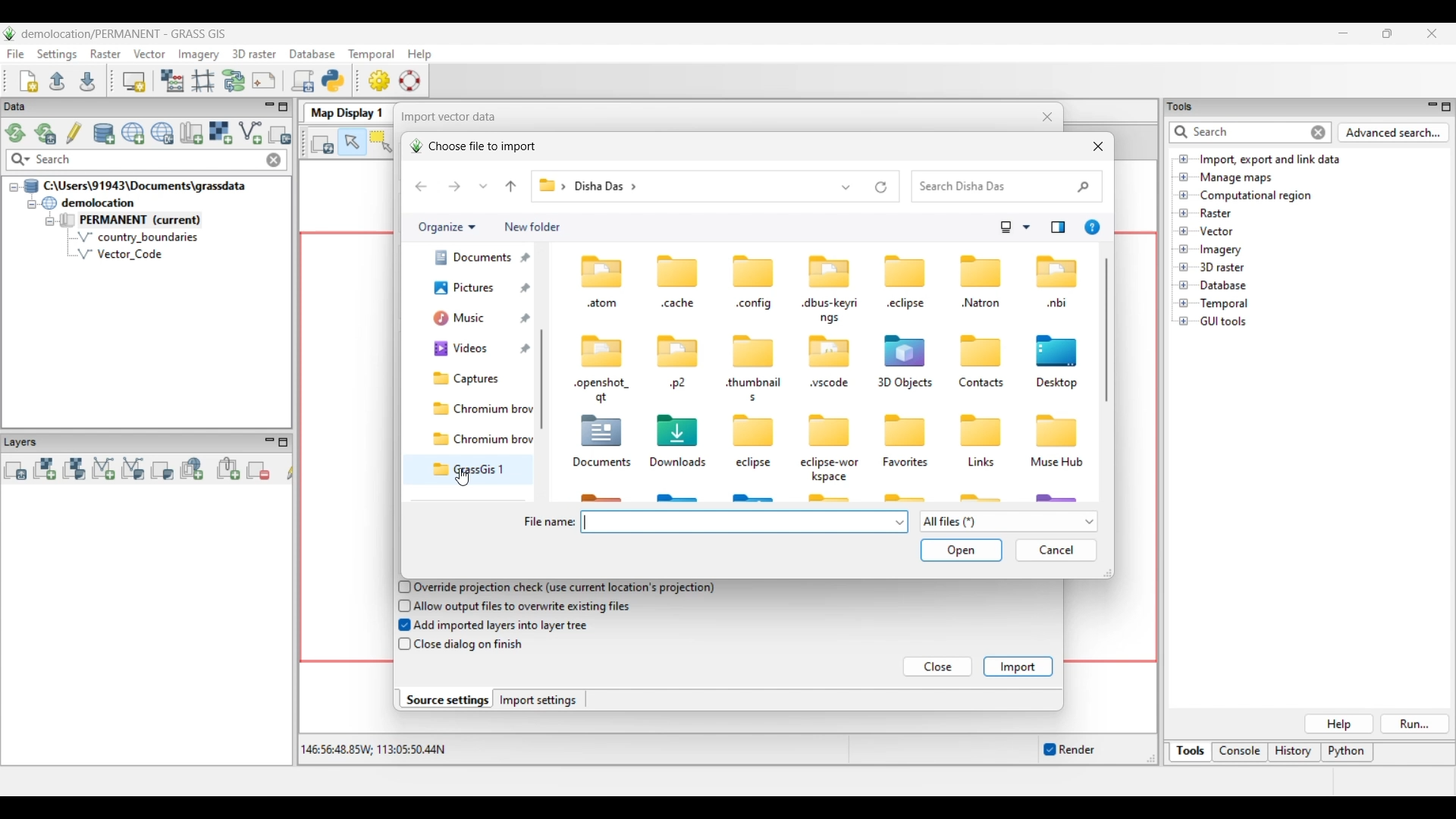 The image size is (1456, 819). I want to click on Vertical slide bar, so click(545, 348).